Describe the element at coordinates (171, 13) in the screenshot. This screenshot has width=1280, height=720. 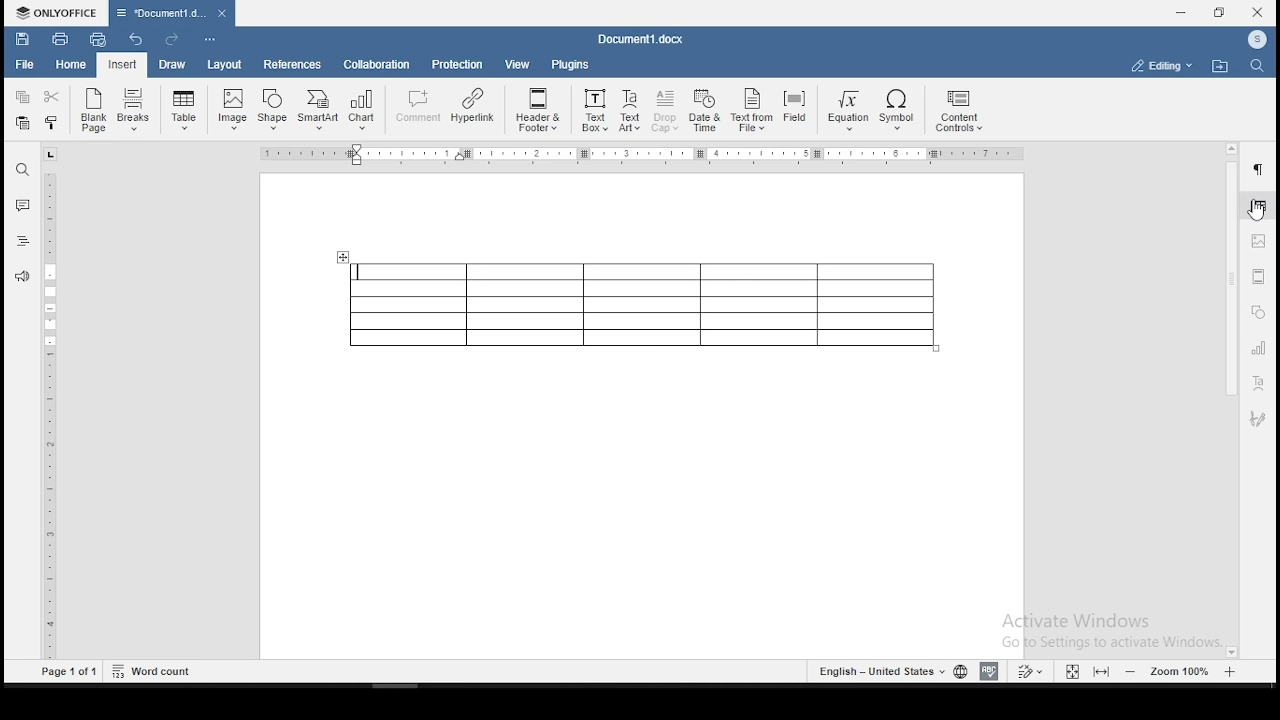
I see `Document3.docx` at that location.